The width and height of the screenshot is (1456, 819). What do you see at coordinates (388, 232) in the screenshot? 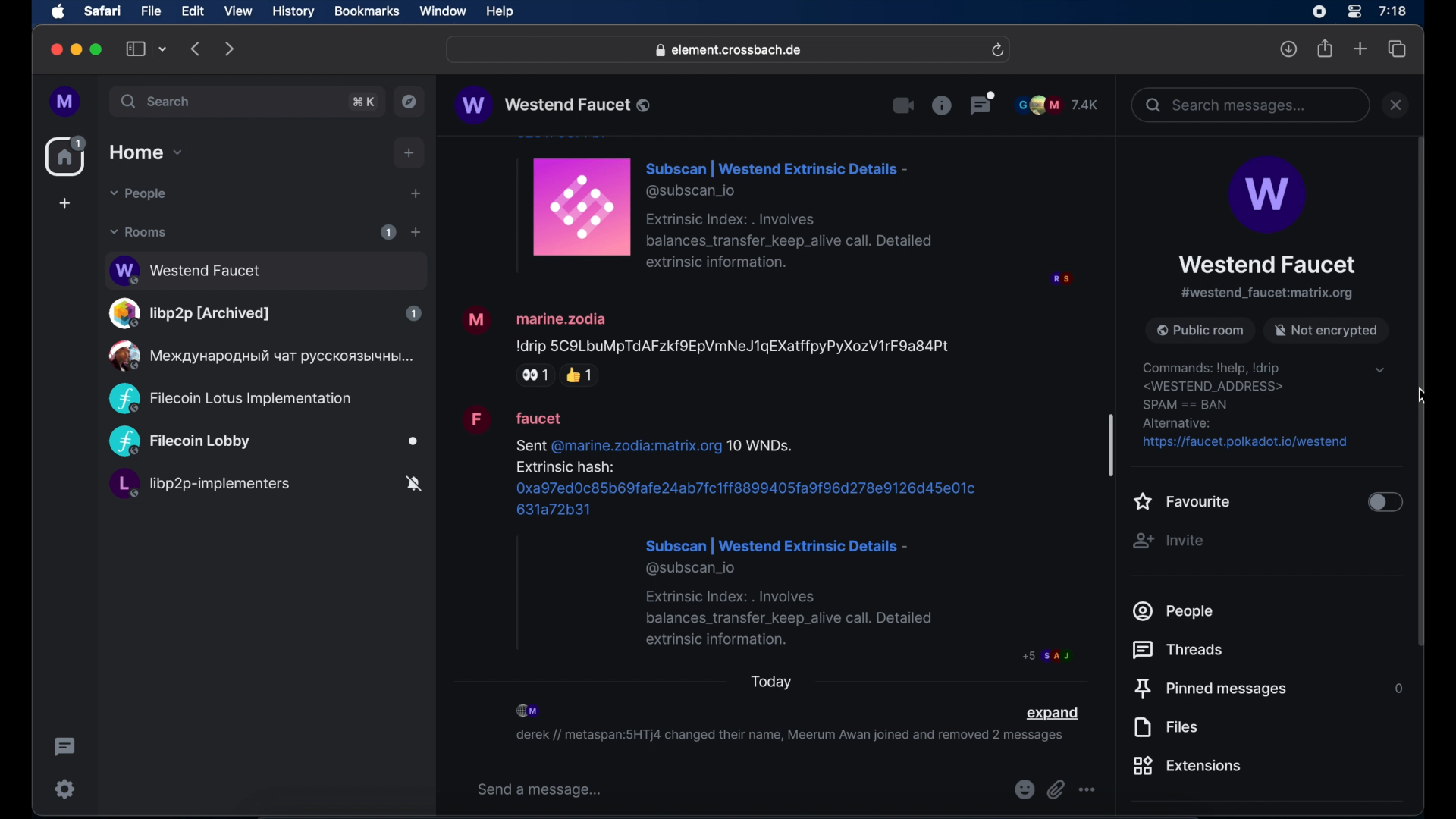
I see `1` at bounding box center [388, 232].